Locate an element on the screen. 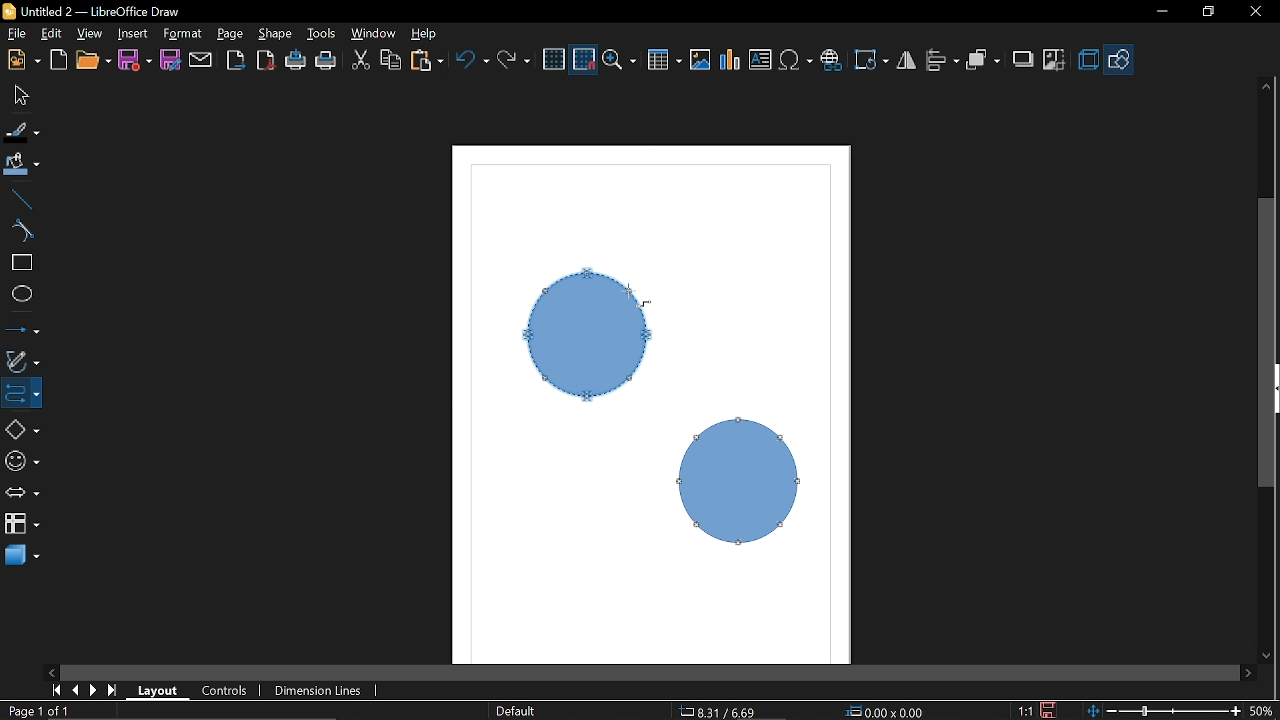 This screenshot has height=720, width=1280. Restore down is located at coordinates (1206, 14).